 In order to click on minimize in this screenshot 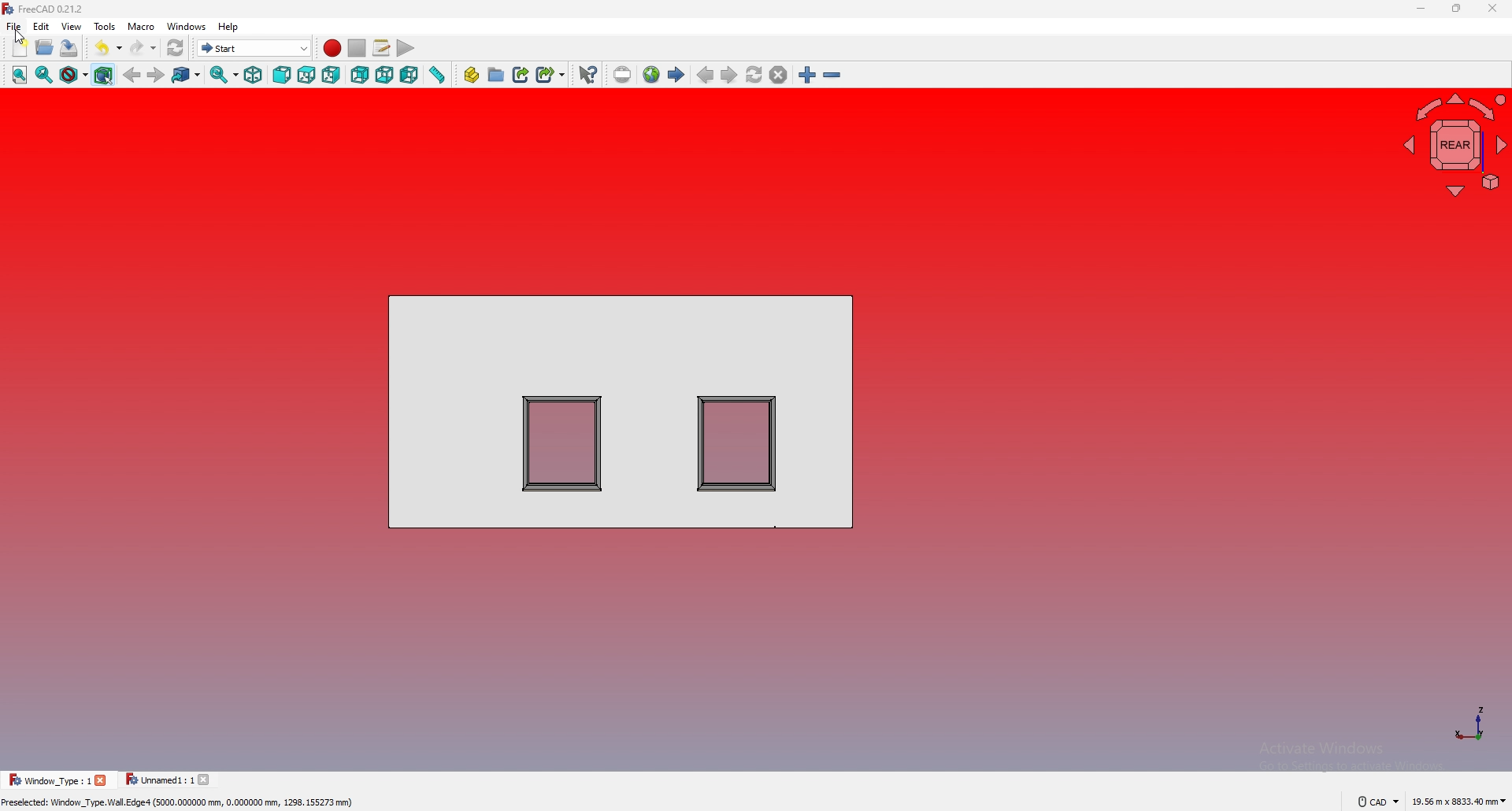, I will do `click(1421, 9)`.